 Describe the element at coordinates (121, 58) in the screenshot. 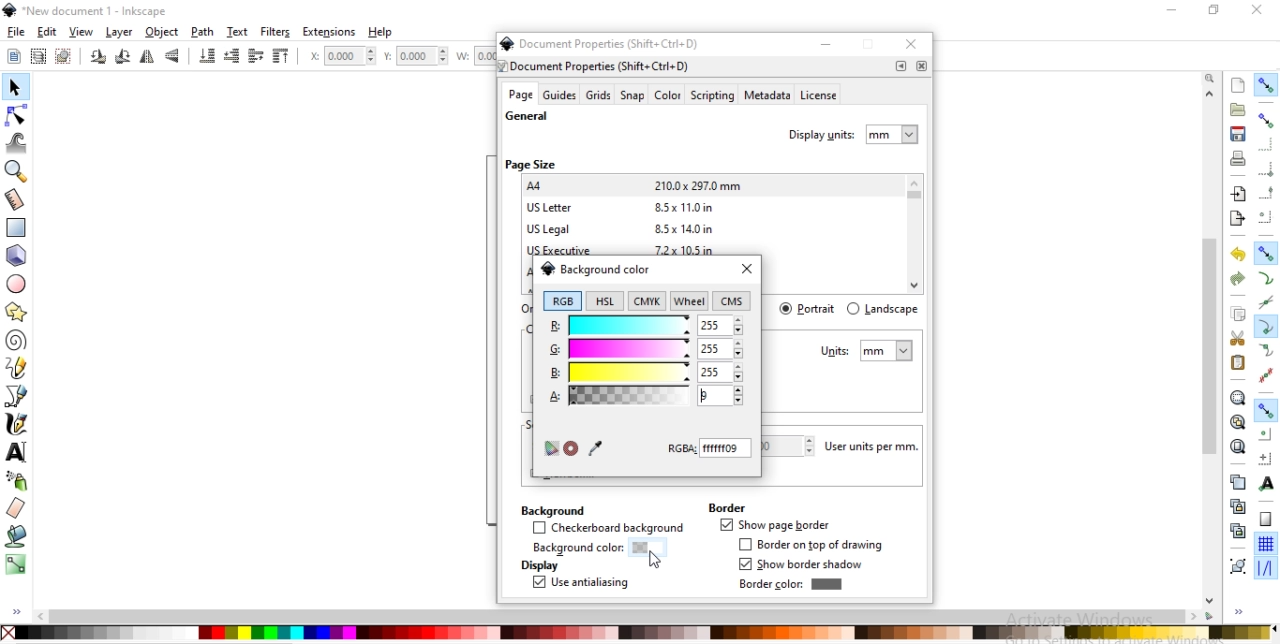

I see `rotate 90 clockwise` at that location.